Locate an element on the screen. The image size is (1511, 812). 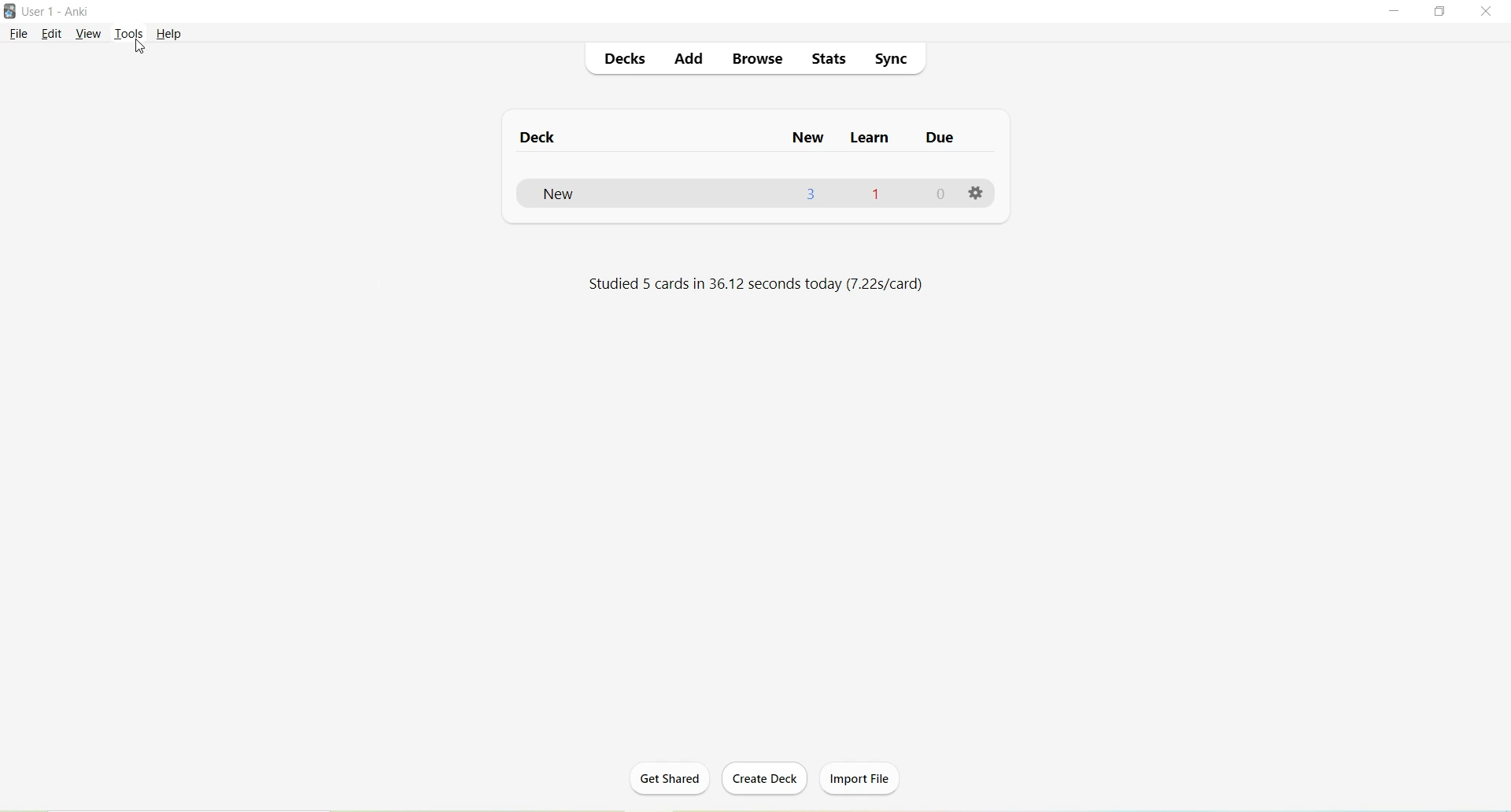
Logo is located at coordinates (12, 12).